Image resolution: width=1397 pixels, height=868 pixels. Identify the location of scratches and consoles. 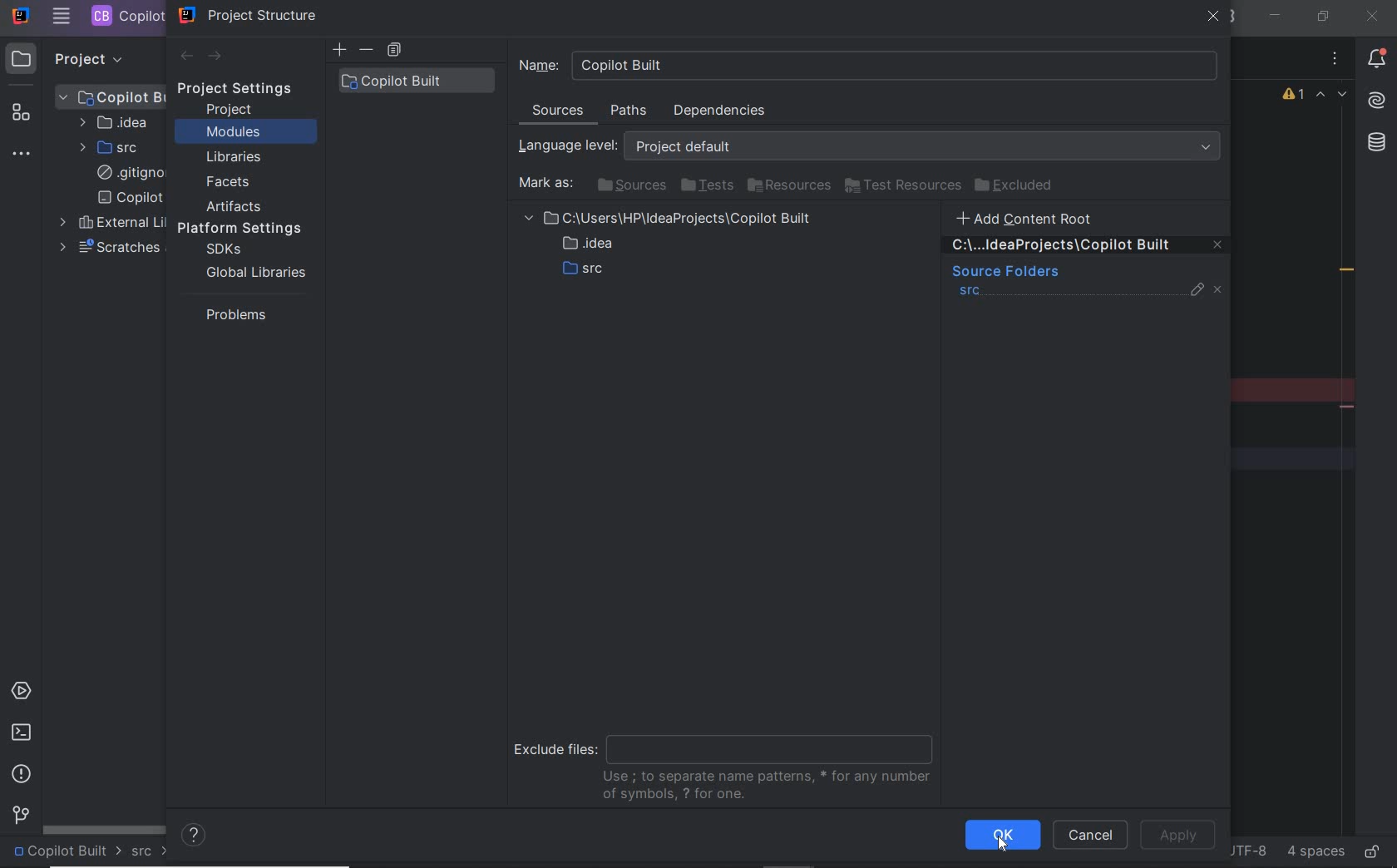
(109, 248).